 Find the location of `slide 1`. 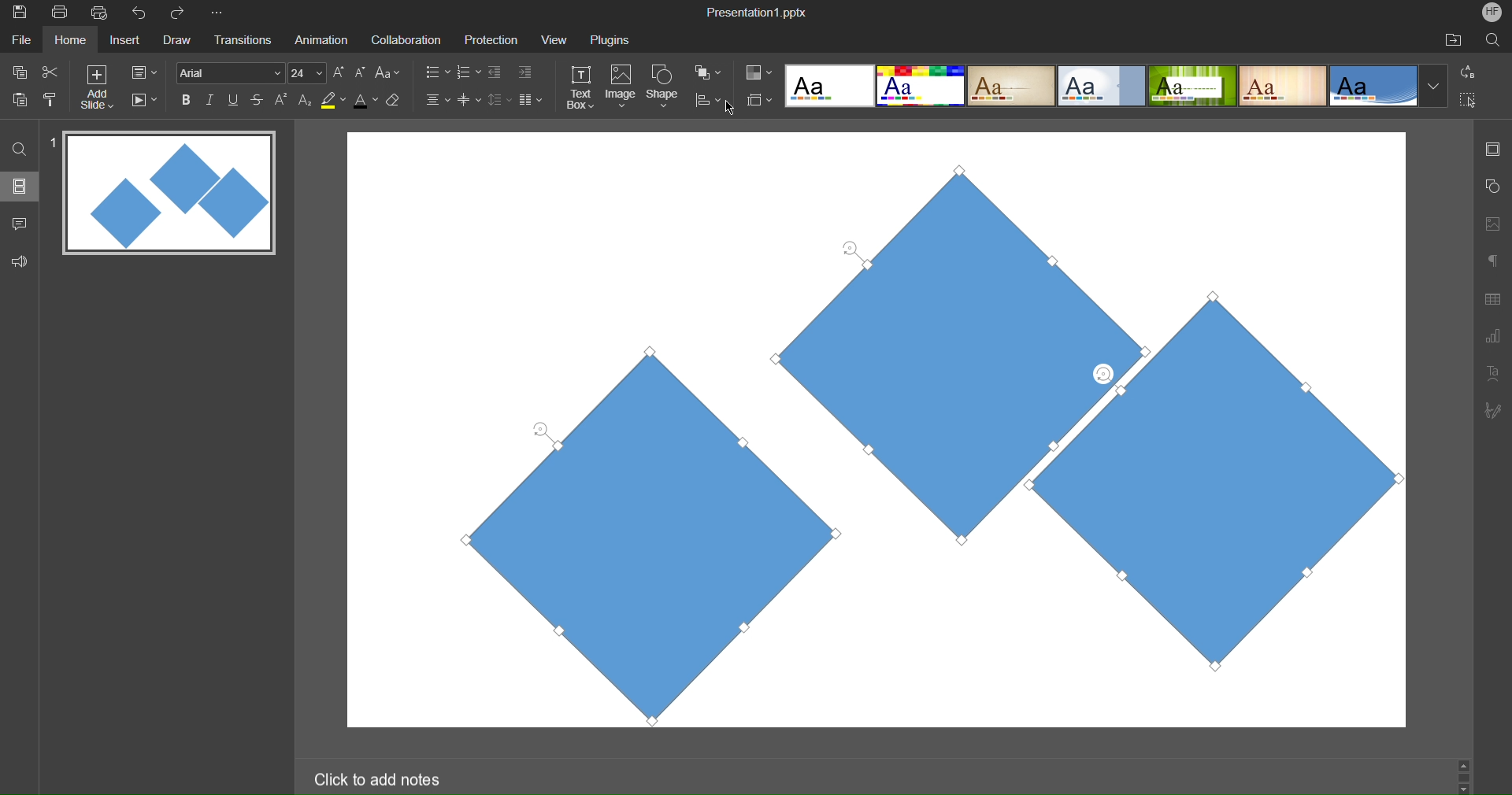

slide 1 is located at coordinates (165, 194).